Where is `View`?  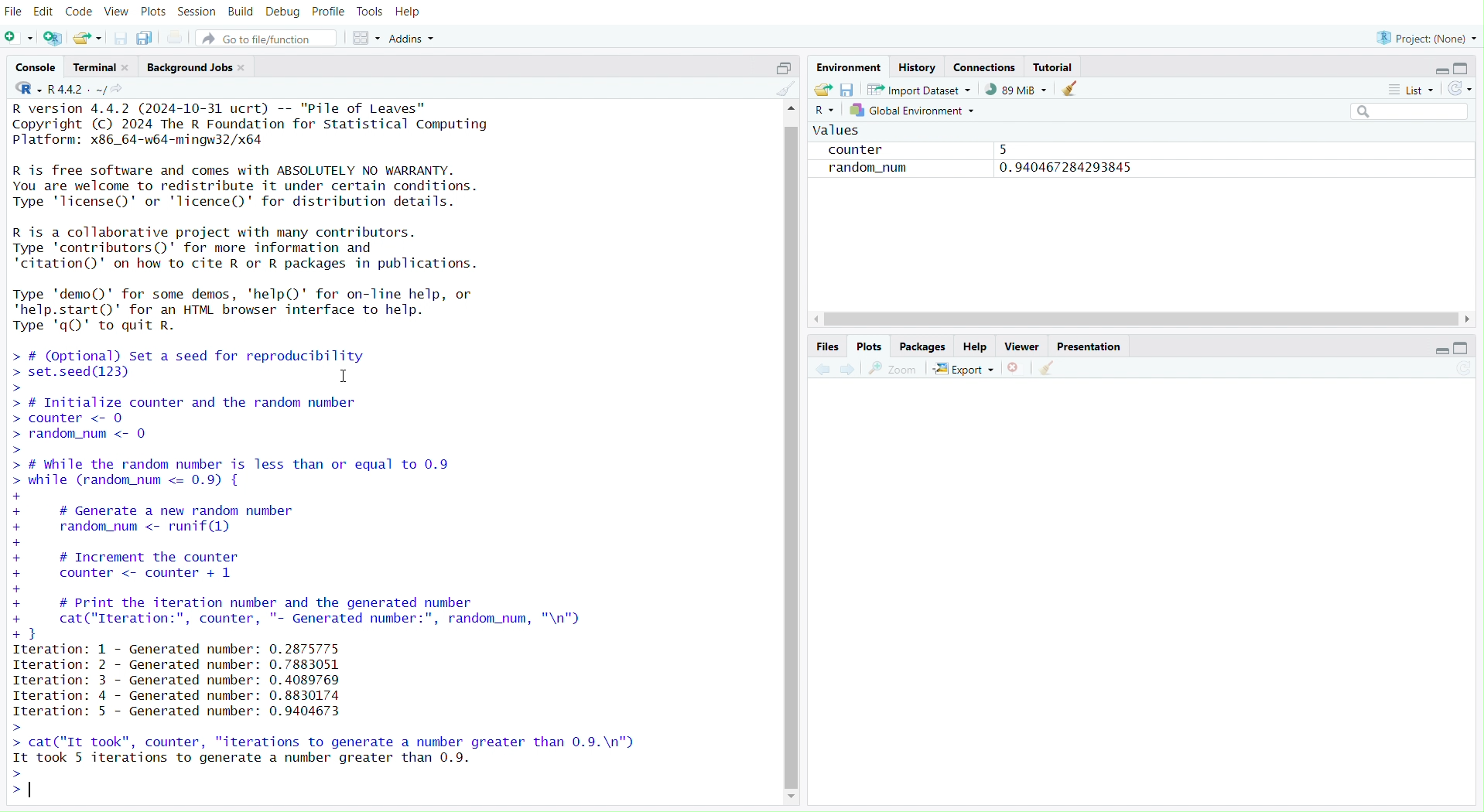
View is located at coordinates (115, 12).